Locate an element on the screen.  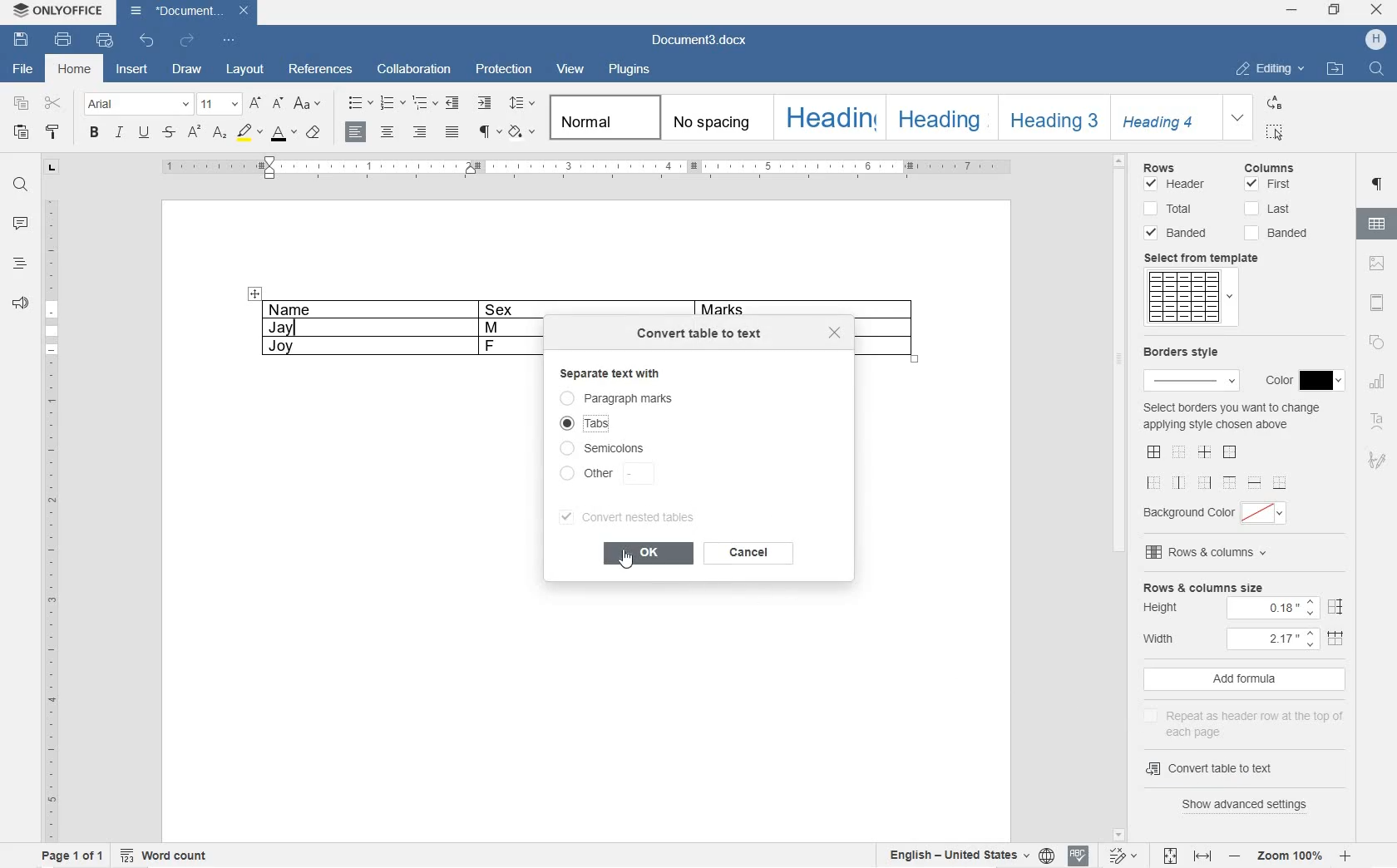
FONT COLOR is located at coordinates (284, 136).